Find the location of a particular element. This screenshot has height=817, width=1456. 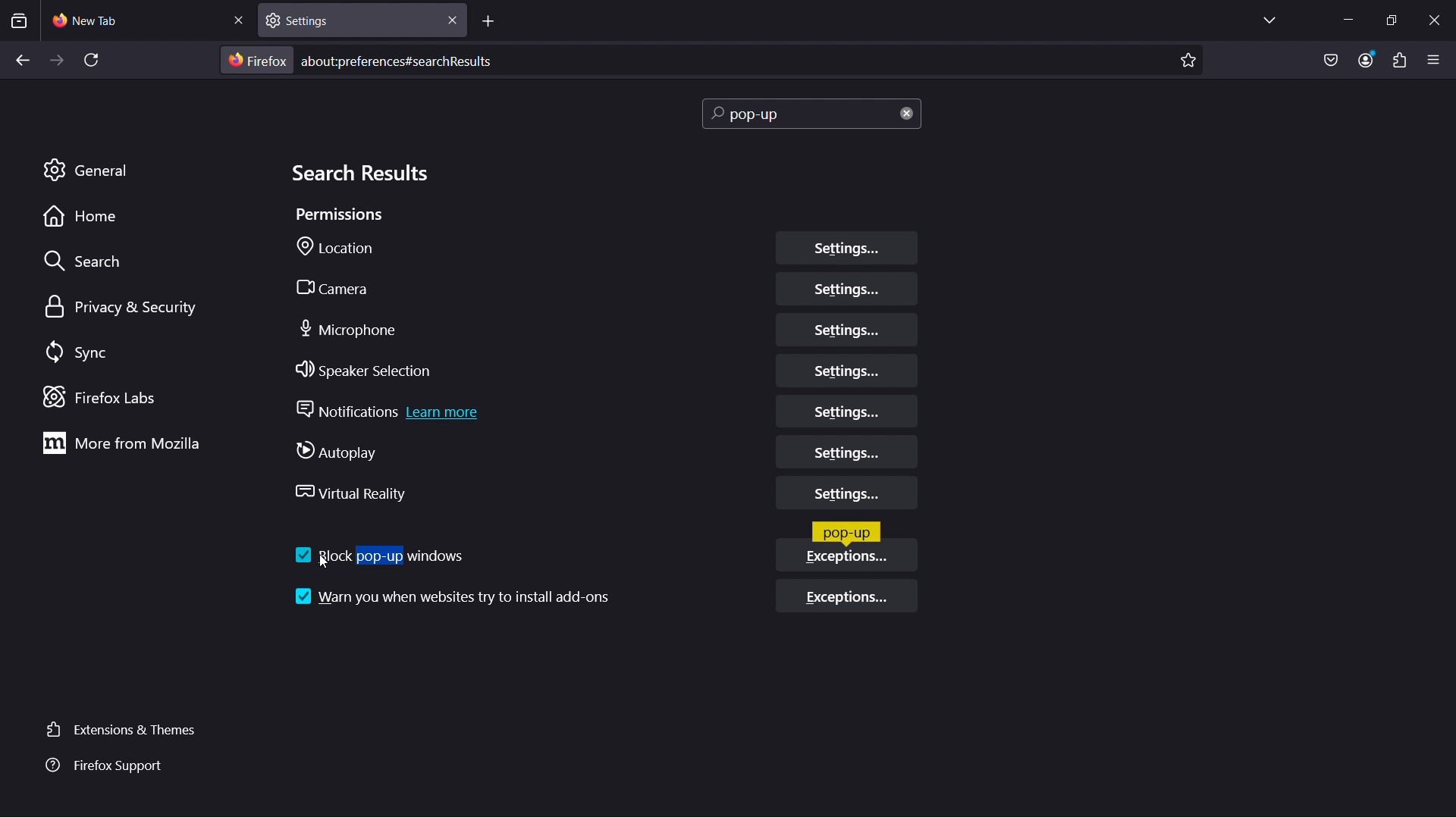

General is located at coordinates (87, 168).